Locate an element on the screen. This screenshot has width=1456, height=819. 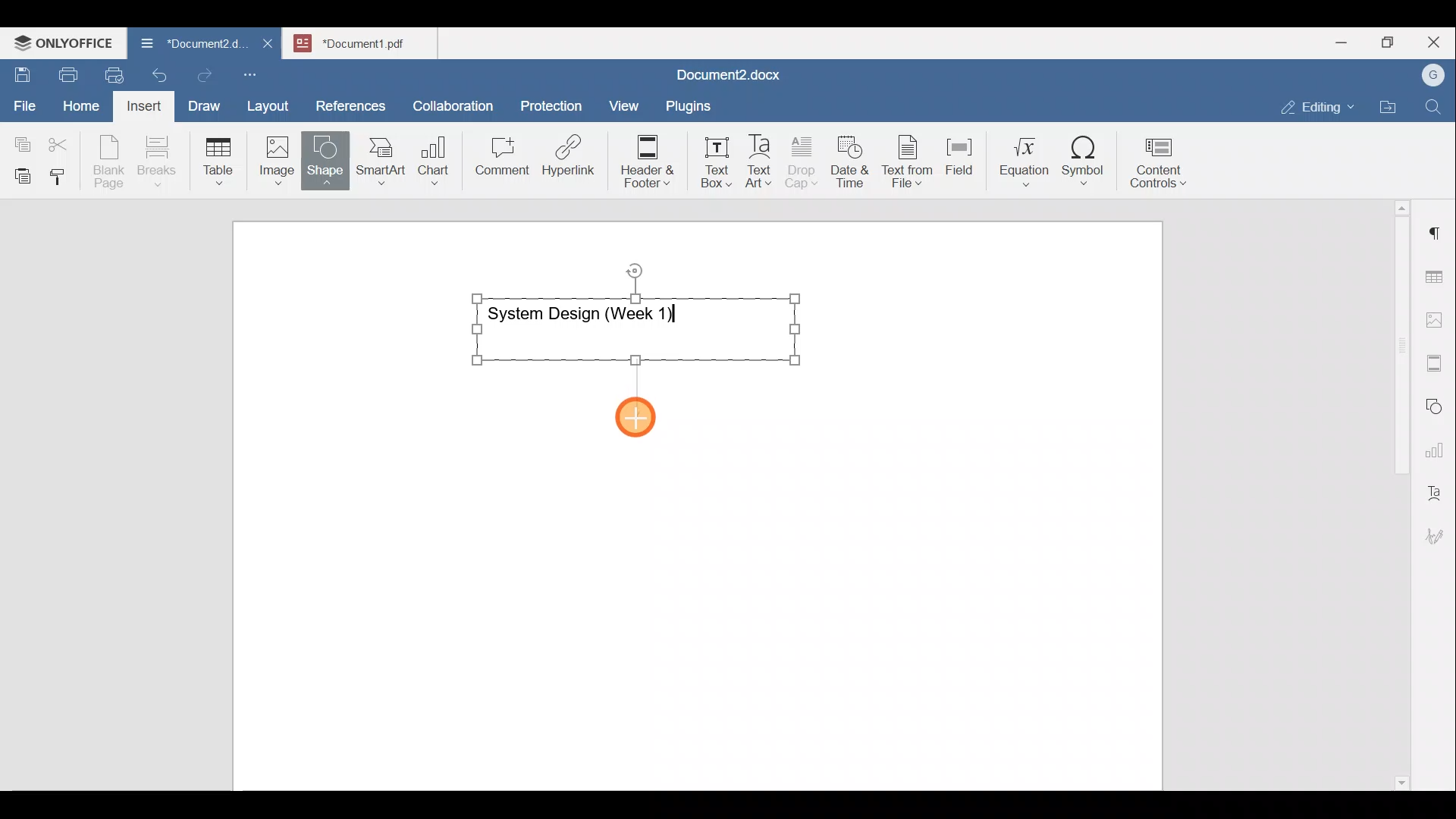
File is located at coordinates (26, 101).